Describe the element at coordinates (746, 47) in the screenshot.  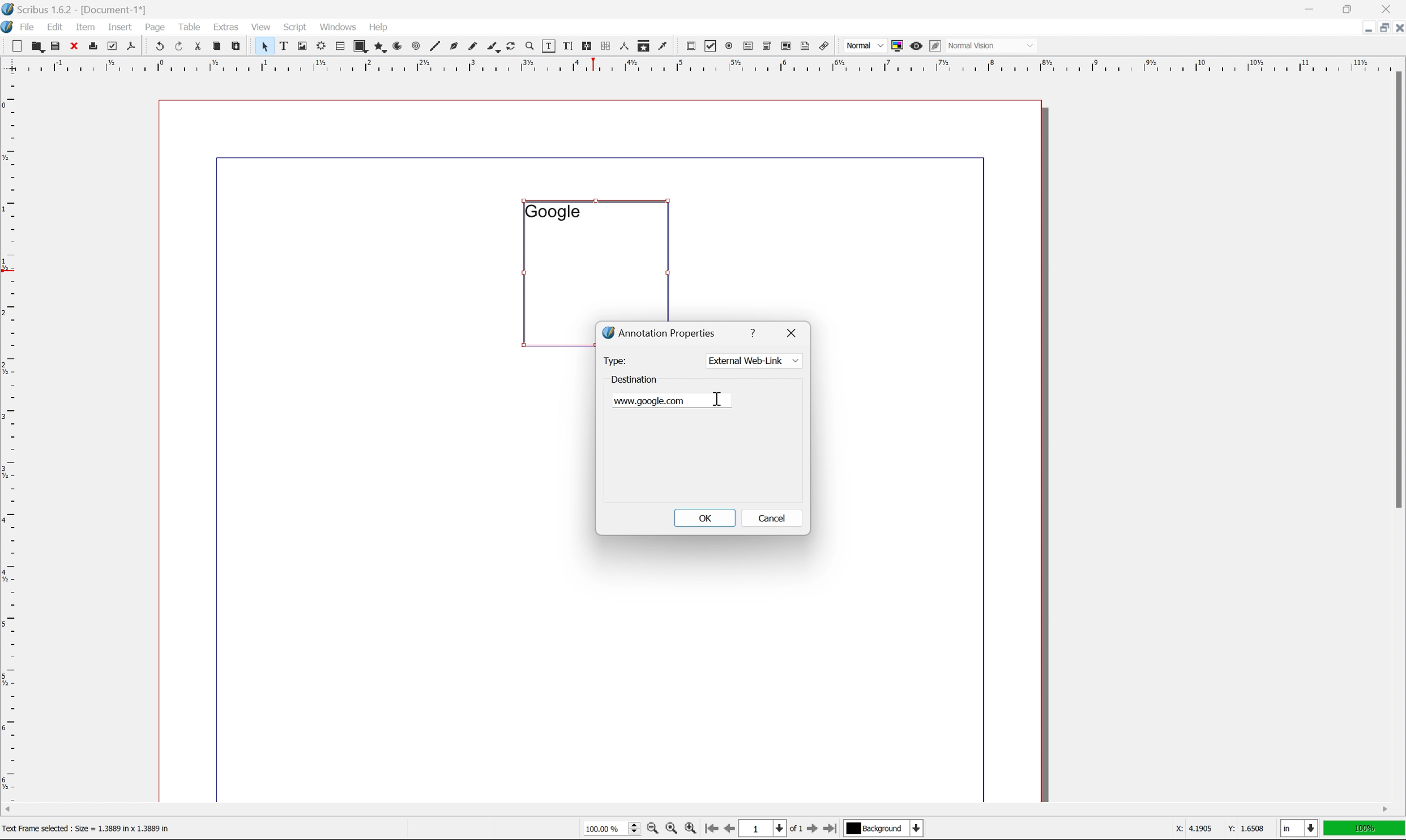
I see `pdf text field` at that location.